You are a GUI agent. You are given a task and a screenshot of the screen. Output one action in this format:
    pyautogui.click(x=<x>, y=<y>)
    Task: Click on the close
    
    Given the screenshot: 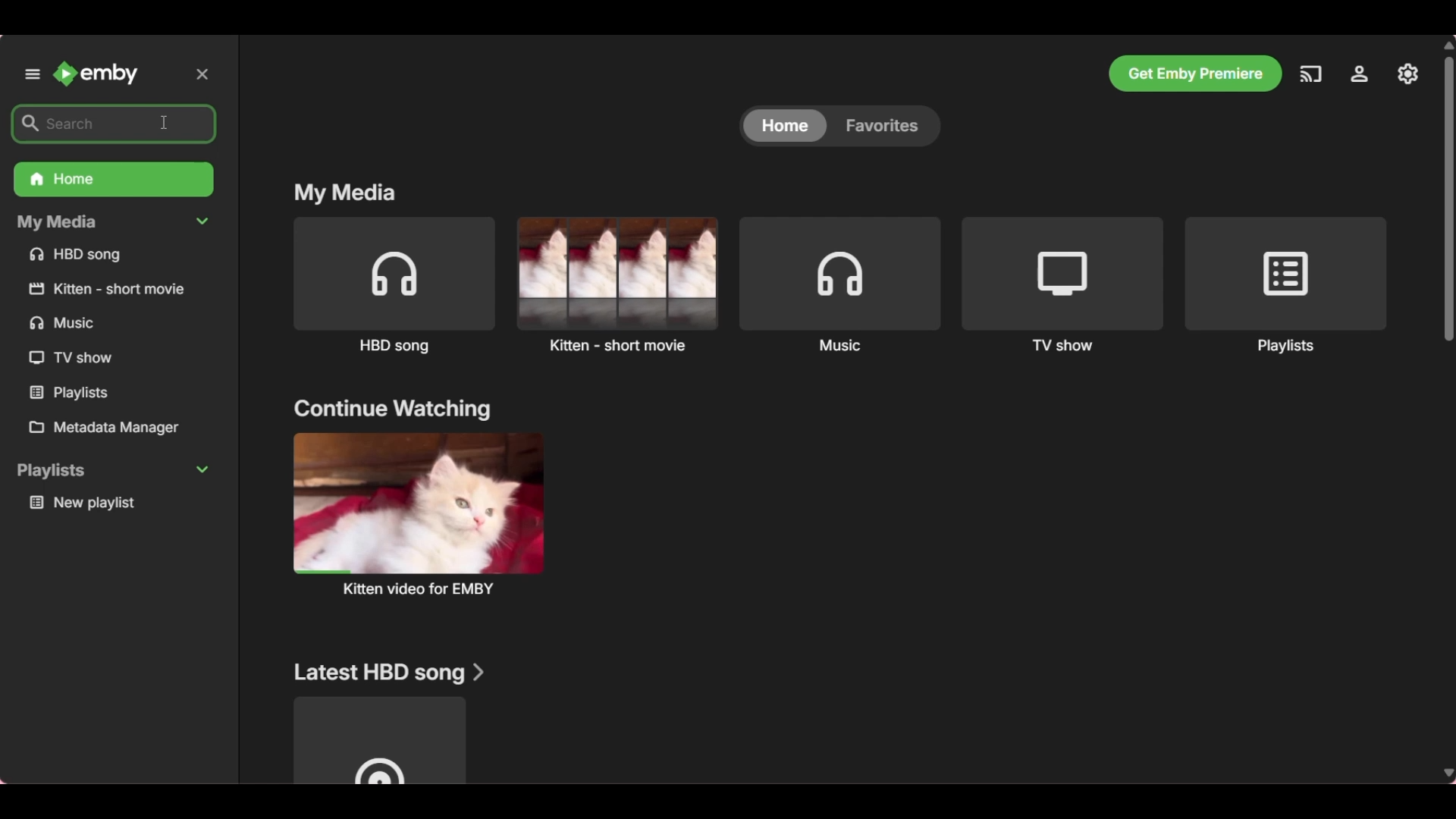 What is the action you would take?
    pyautogui.click(x=206, y=73)
    